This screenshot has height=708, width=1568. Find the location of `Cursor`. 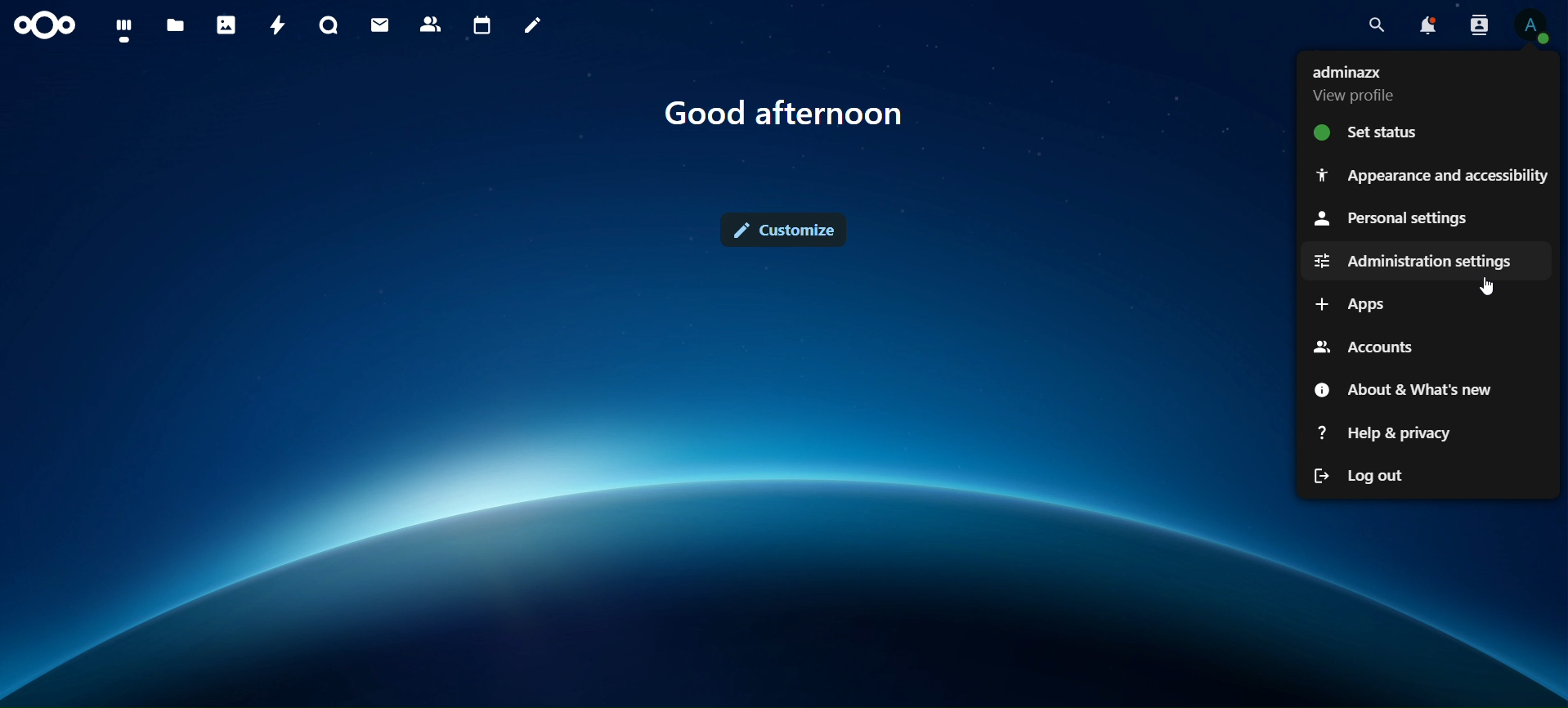

Cursor is located at coordinates (1490, 287).